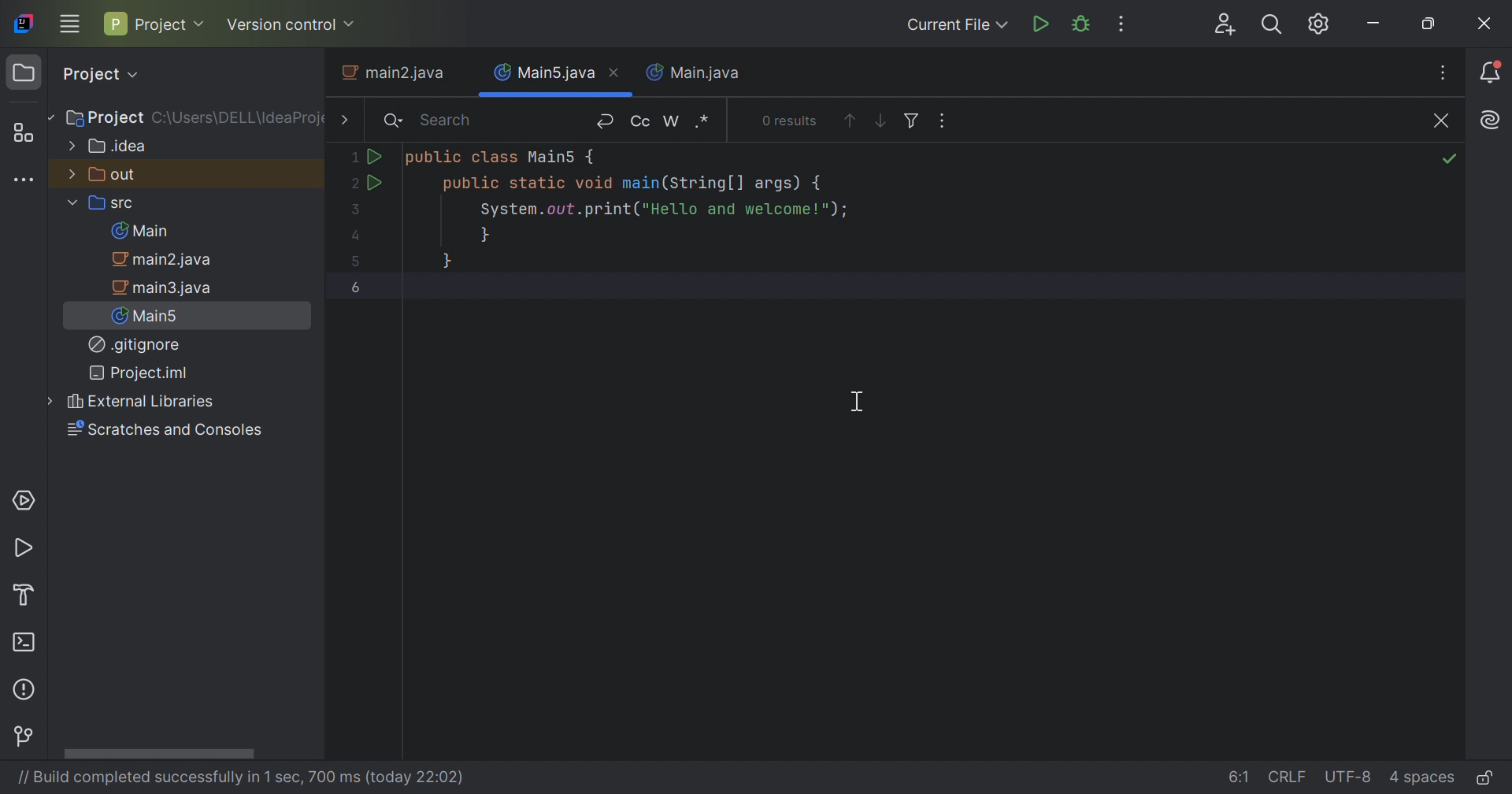 This screenshot has height=794, width=1512. What do you see at coordinates (642, 121) in the screenshot?
I see `Match case` at bounding box center [642, 121].